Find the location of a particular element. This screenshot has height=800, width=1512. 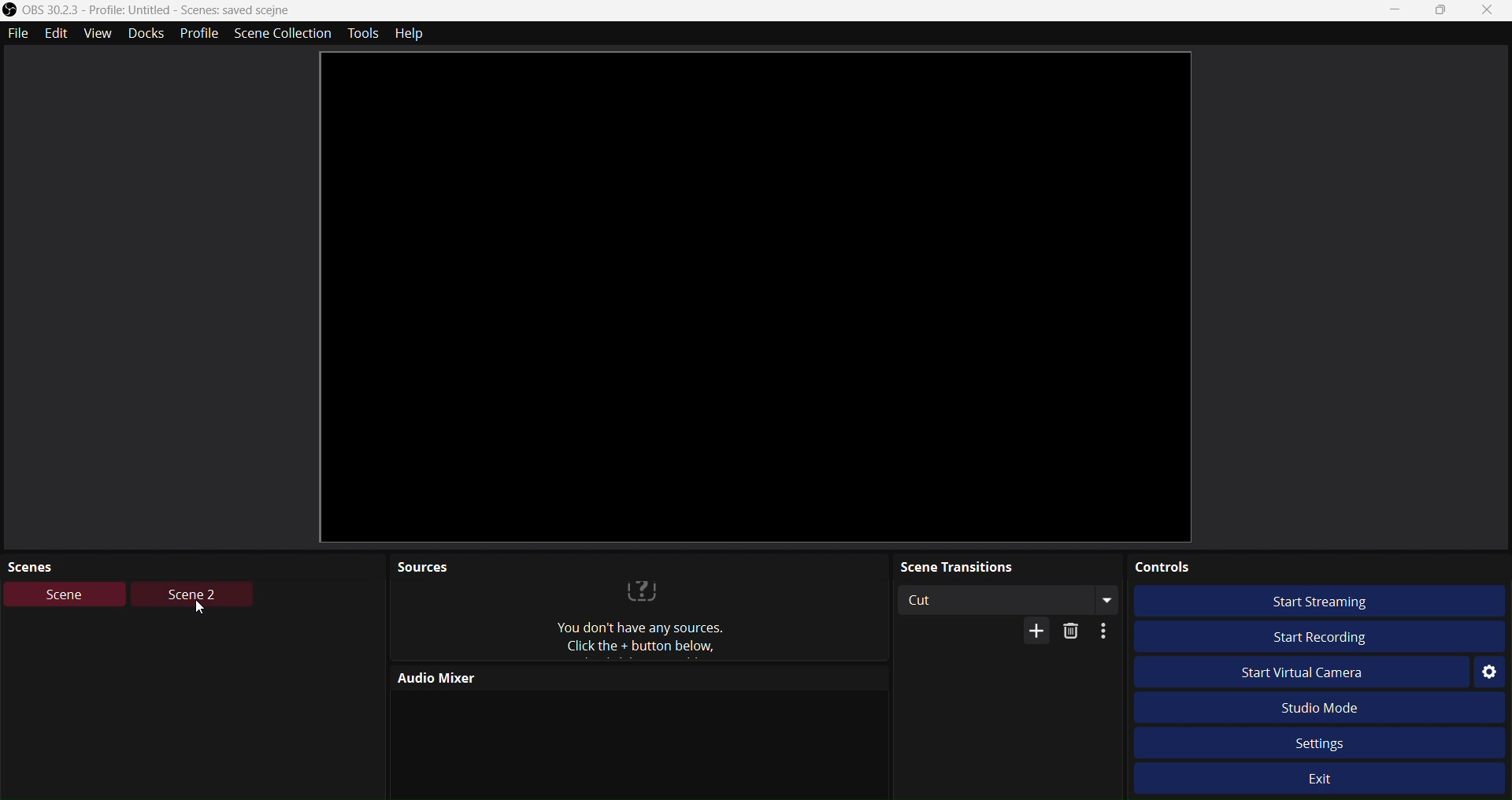

View is located at coordinates (100, 35).